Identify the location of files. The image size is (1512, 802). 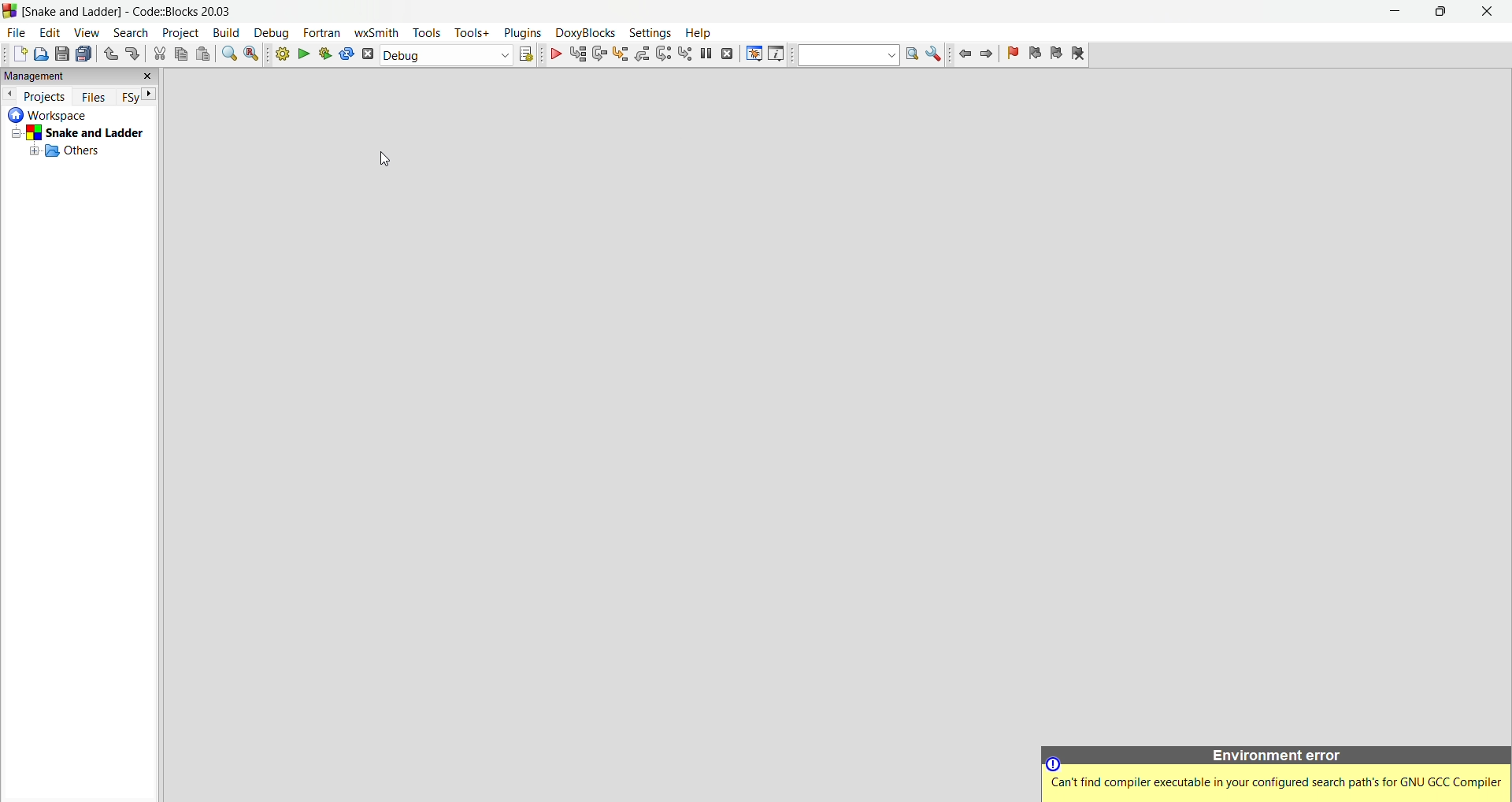
(96, 95).